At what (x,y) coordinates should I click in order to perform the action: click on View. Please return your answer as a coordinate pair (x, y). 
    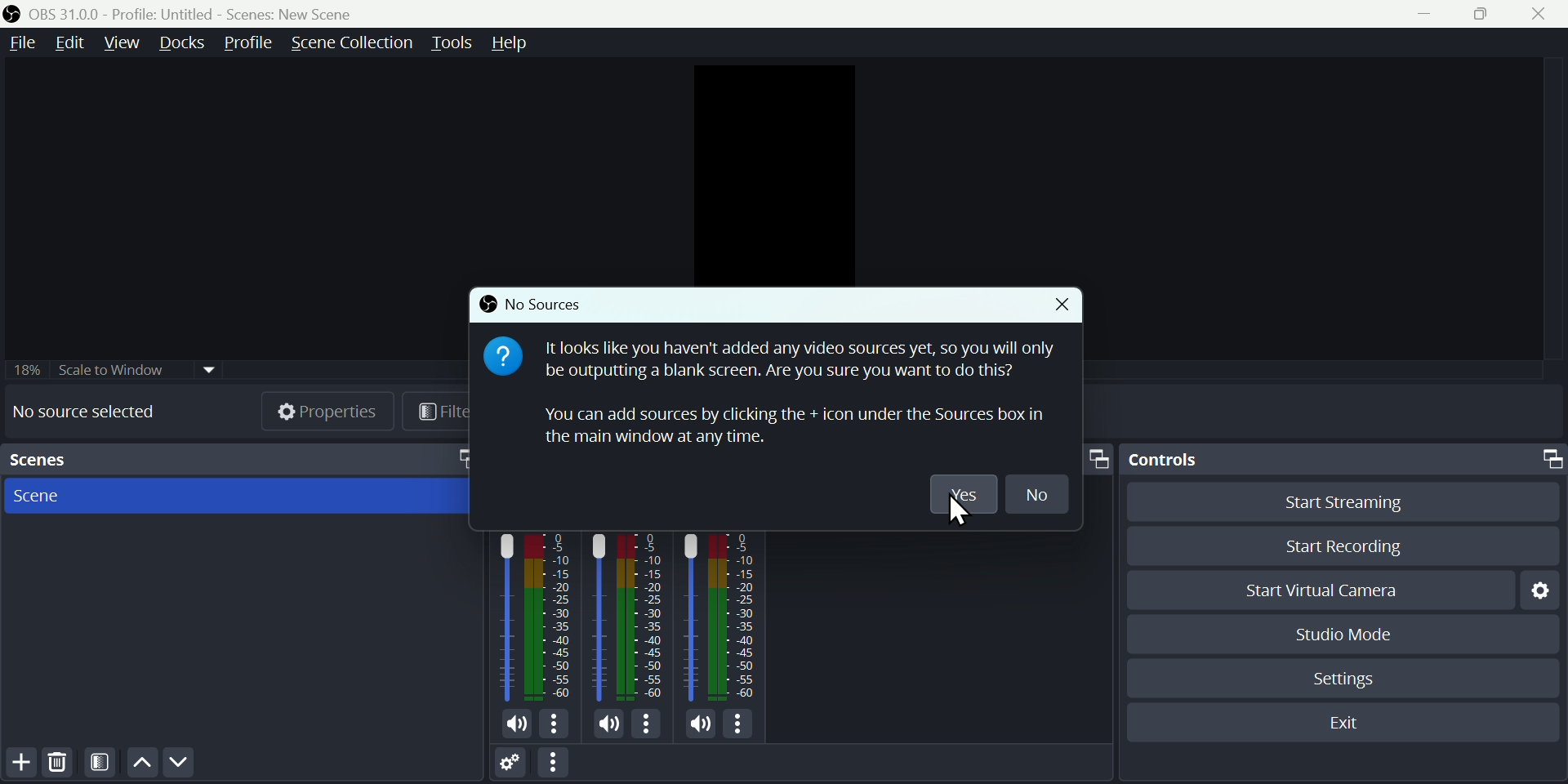
    Looking at the image, I should click on (121, 42).